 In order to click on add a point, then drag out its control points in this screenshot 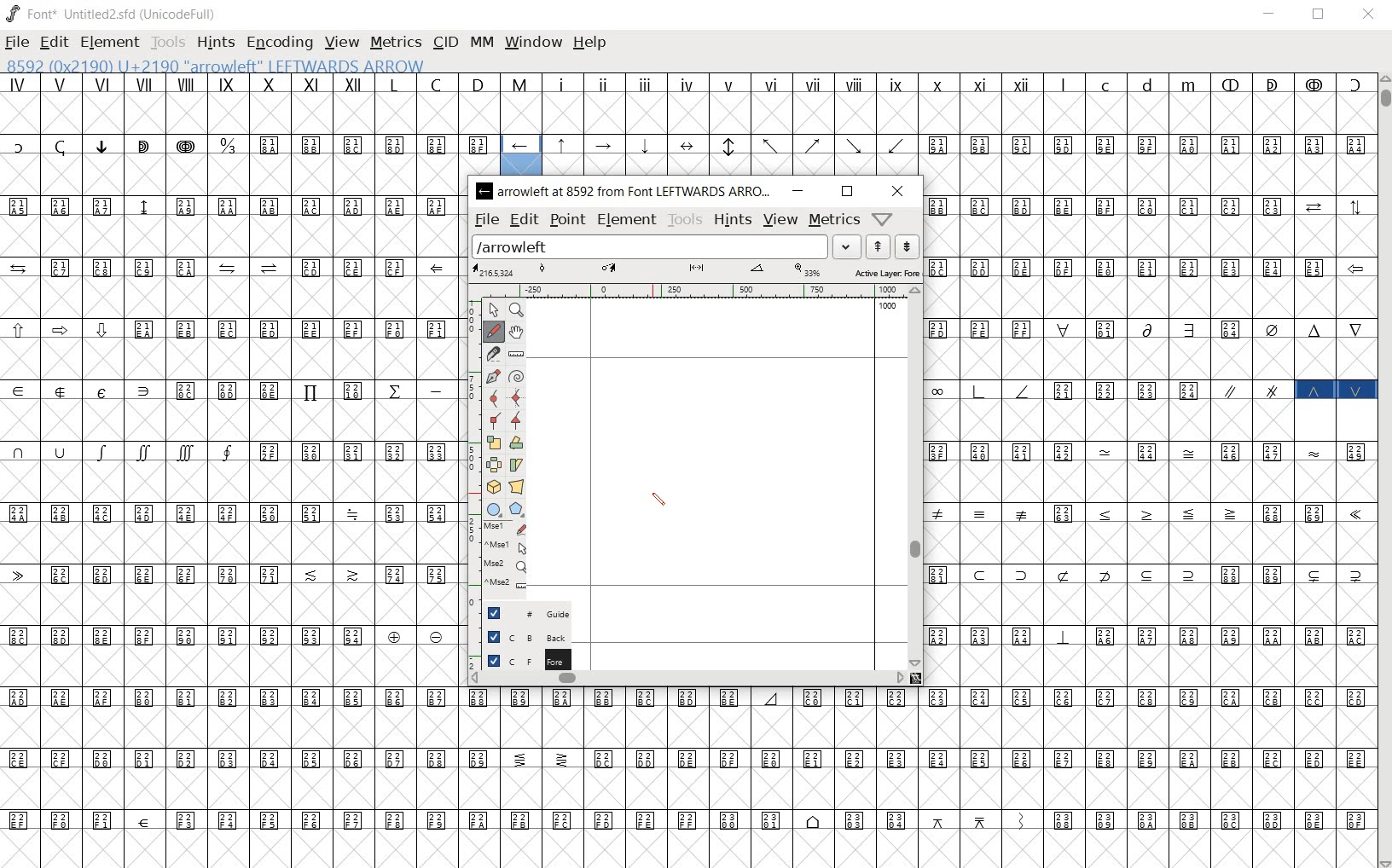, I will do `click(491, 374)`.